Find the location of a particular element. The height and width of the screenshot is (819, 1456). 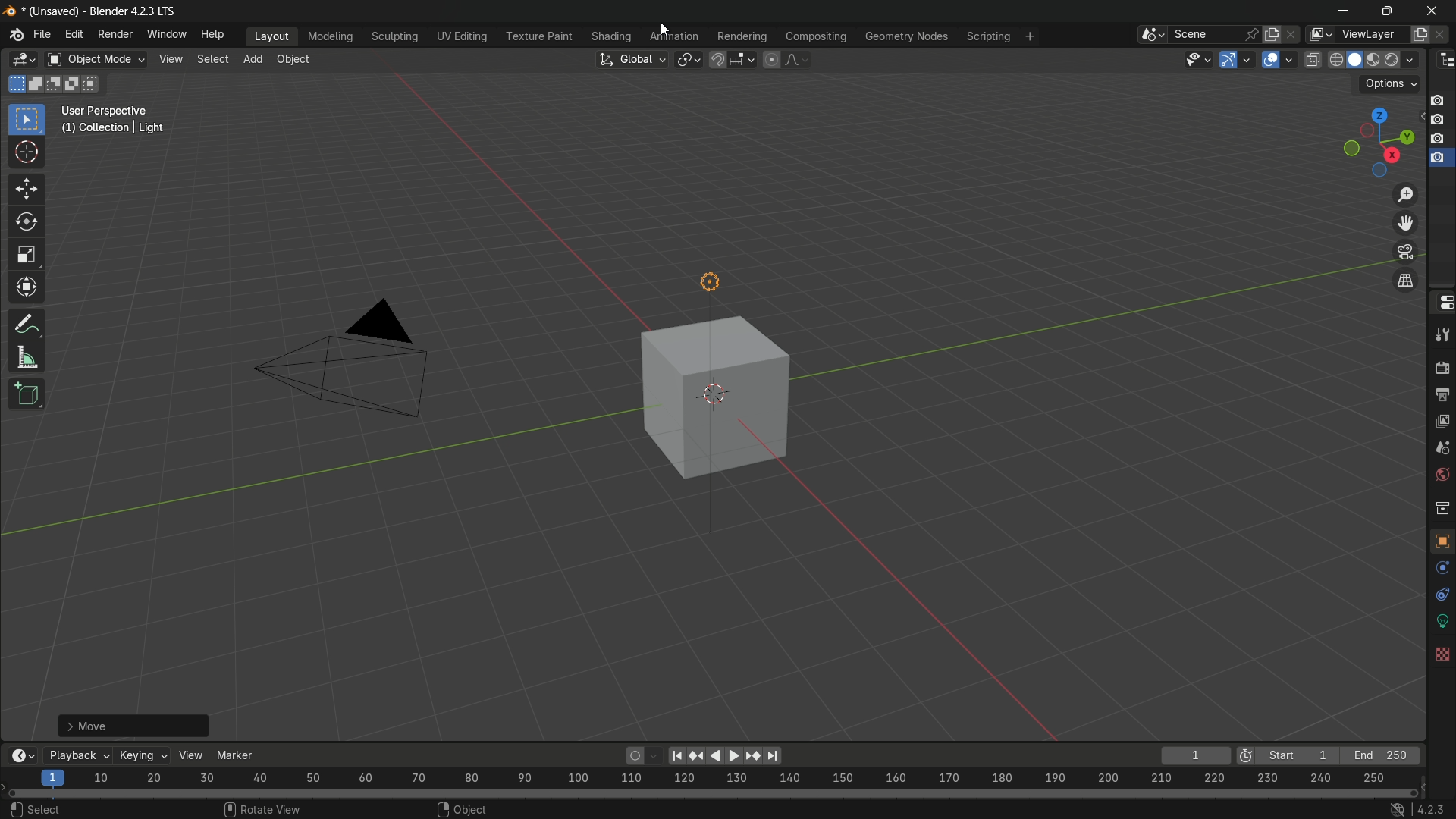

invert selection is located at coordinates (78, 83).